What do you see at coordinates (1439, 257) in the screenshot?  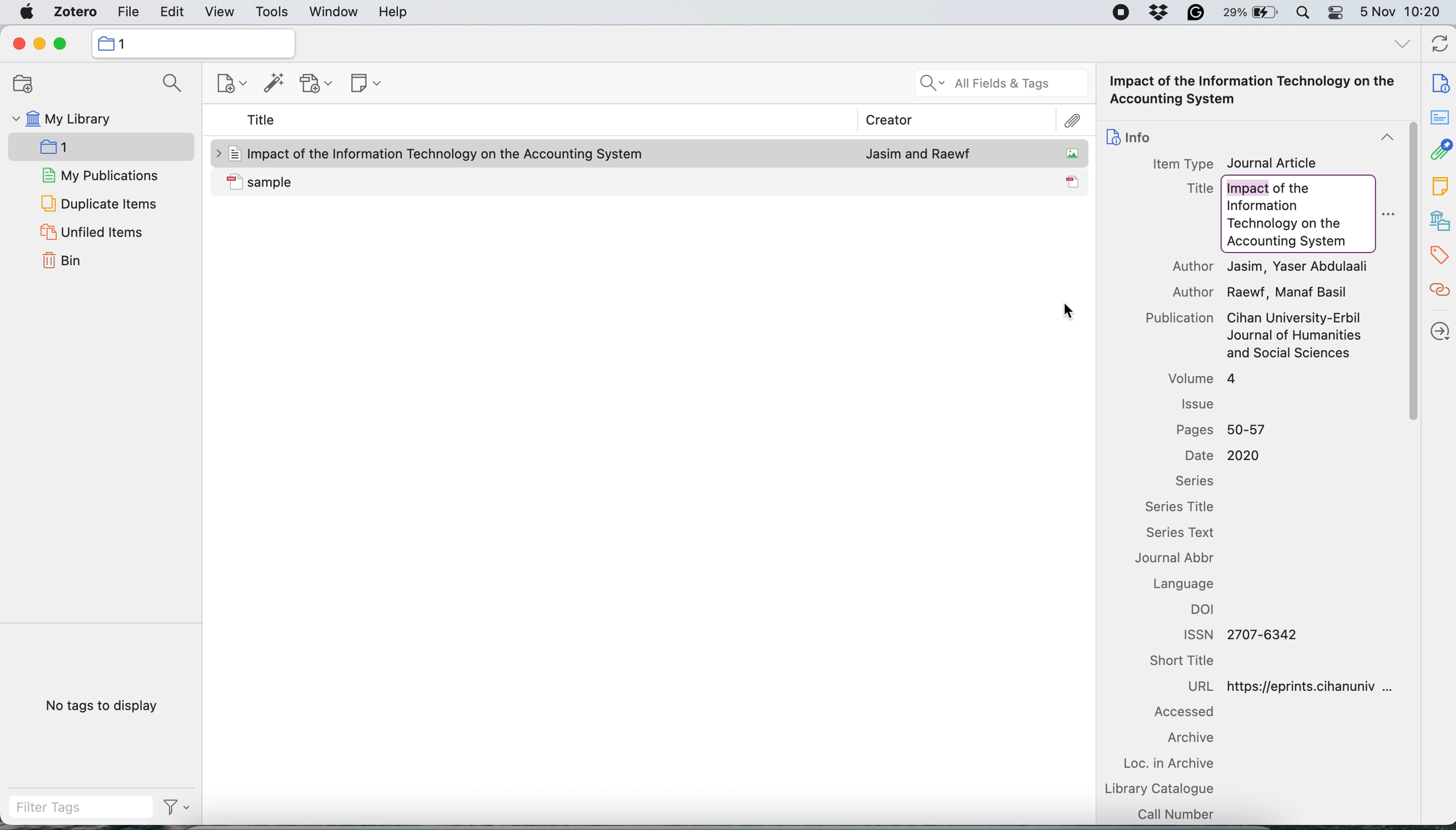 I see `tags` at bounding box center [1439, 257].